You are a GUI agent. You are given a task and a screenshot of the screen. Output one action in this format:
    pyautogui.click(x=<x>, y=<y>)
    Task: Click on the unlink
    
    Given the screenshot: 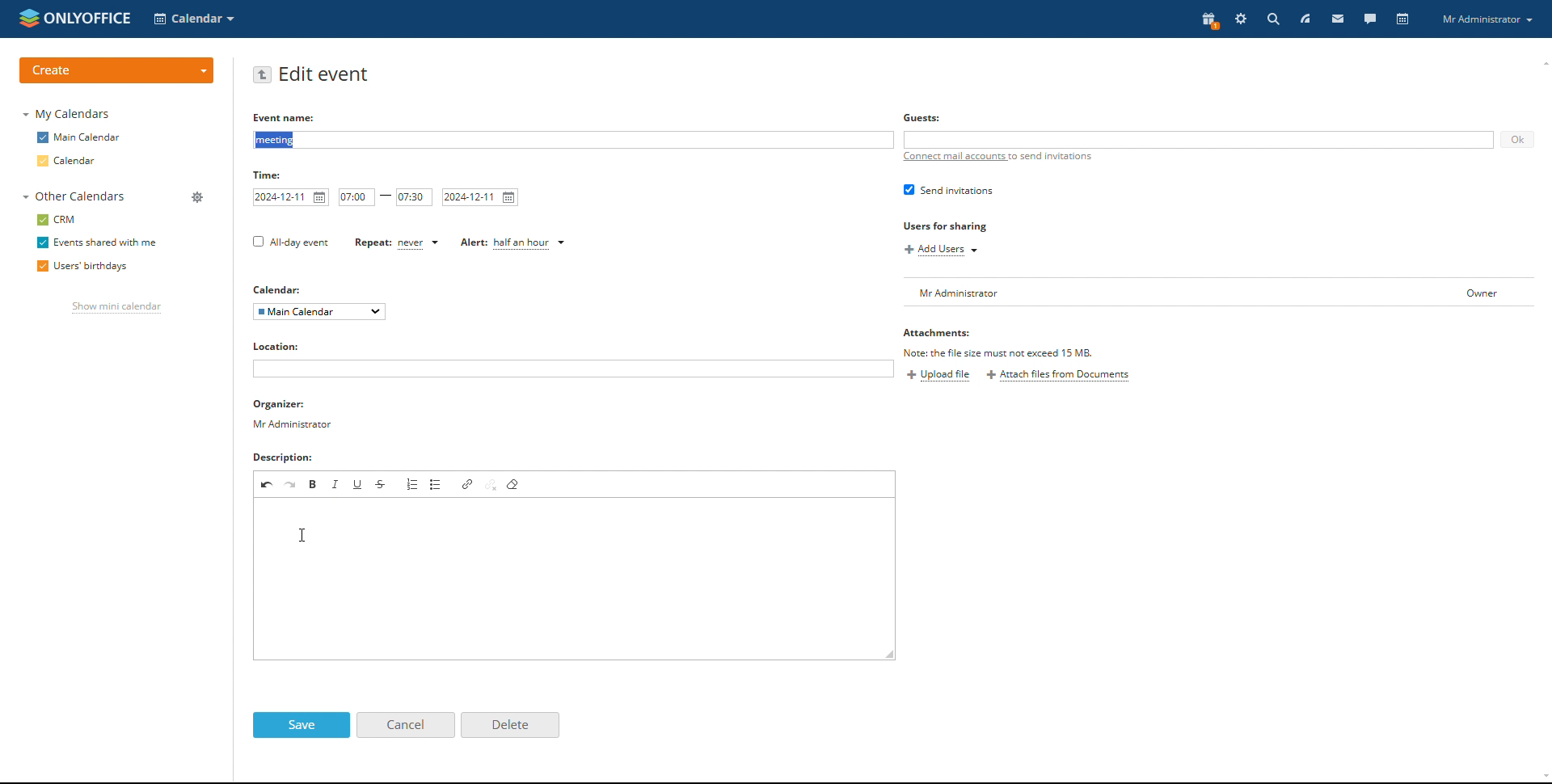 What is the action you would take?
    pyautogui.click(x=491, y=484)
    